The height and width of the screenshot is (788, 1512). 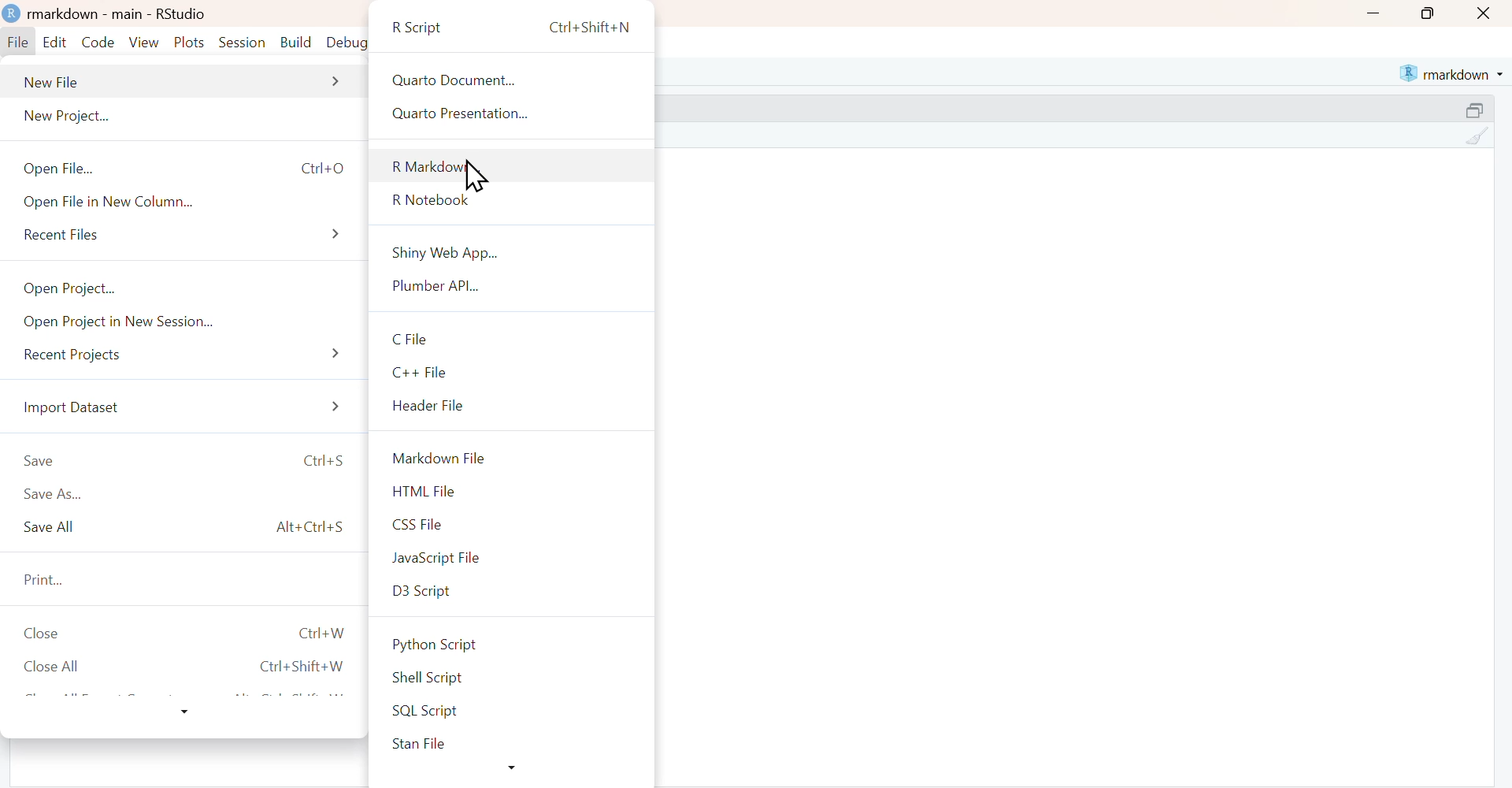 What do you see at coordinates (190, 408) in the screenshot?
I see `import dataset` at bounding box center [190, 408].